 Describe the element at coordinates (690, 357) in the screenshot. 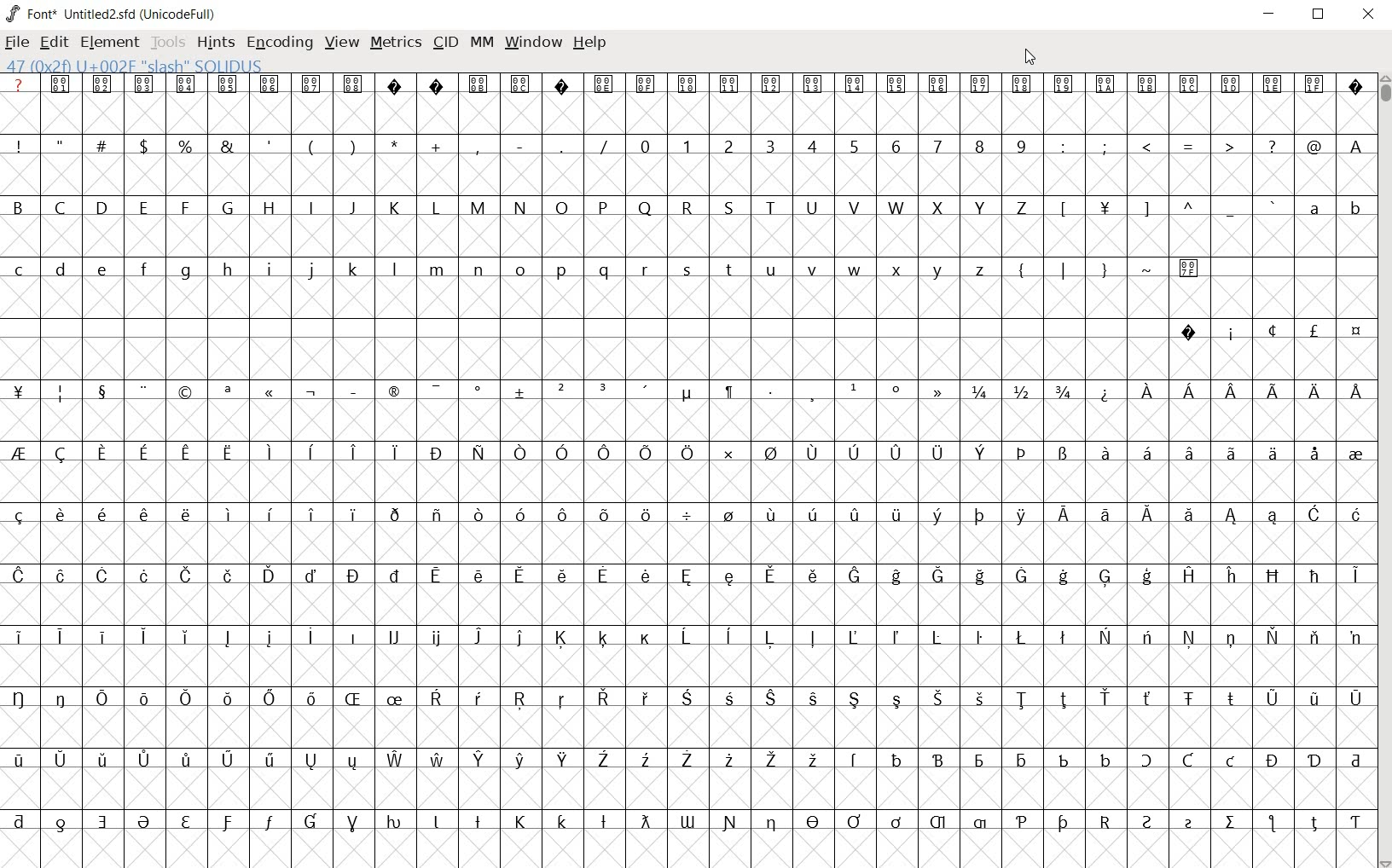

I see `empty cells` at that location.